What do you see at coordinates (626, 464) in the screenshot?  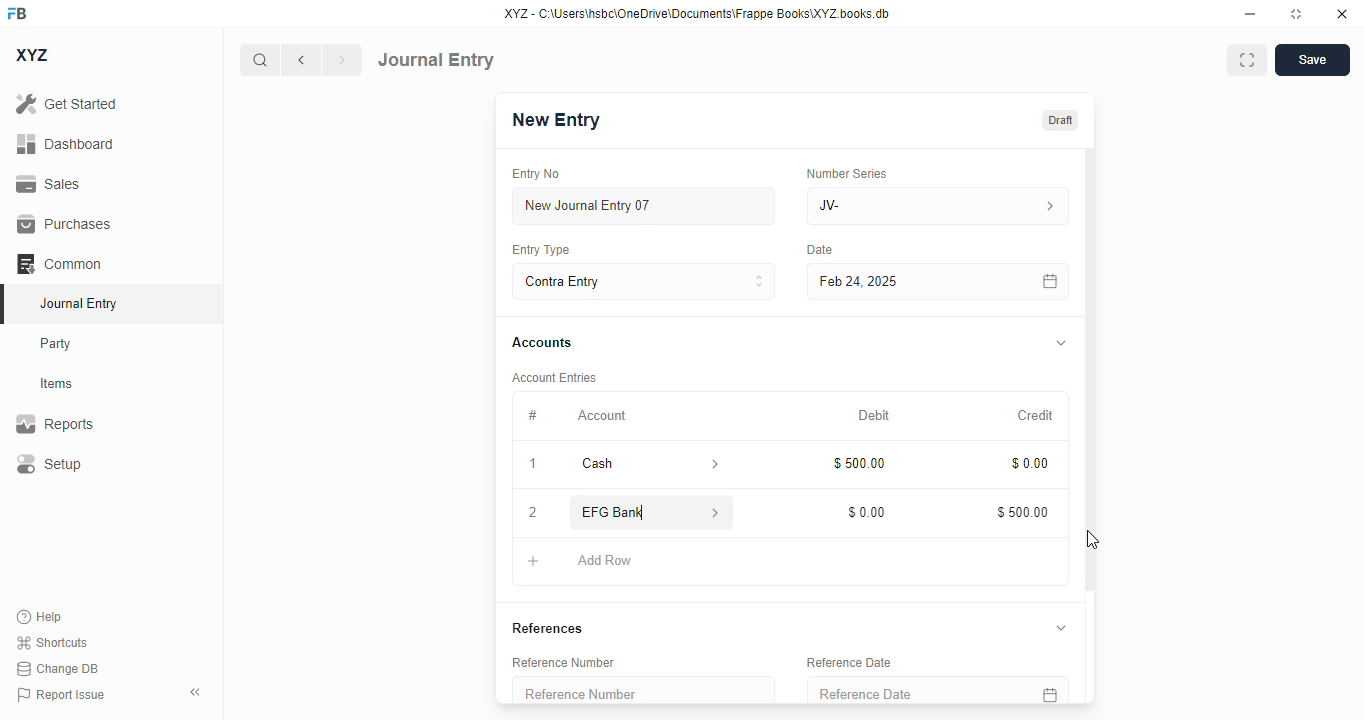 I see `cash ` at bounding box center [626, 464].